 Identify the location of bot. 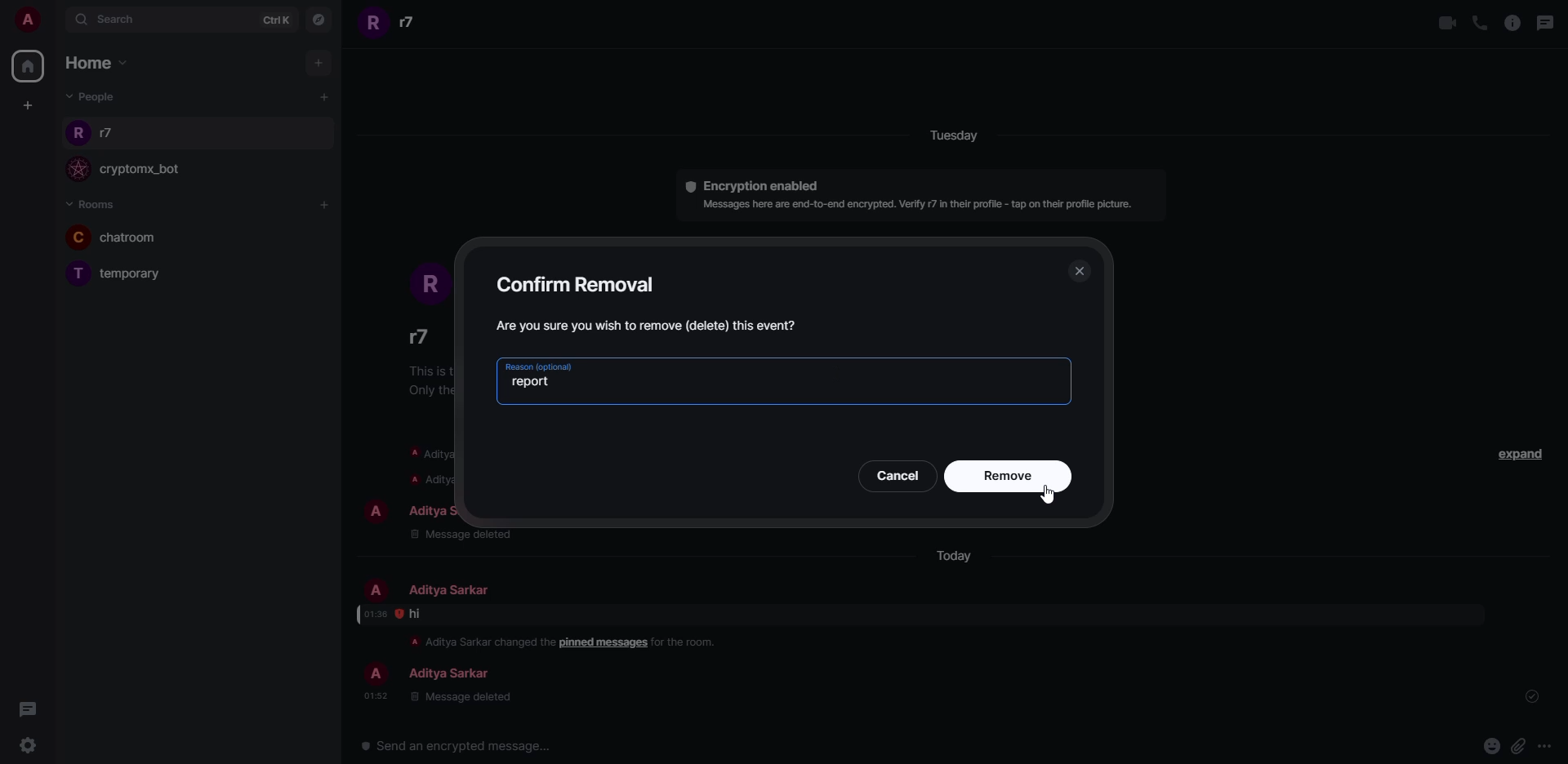
(144, 171).